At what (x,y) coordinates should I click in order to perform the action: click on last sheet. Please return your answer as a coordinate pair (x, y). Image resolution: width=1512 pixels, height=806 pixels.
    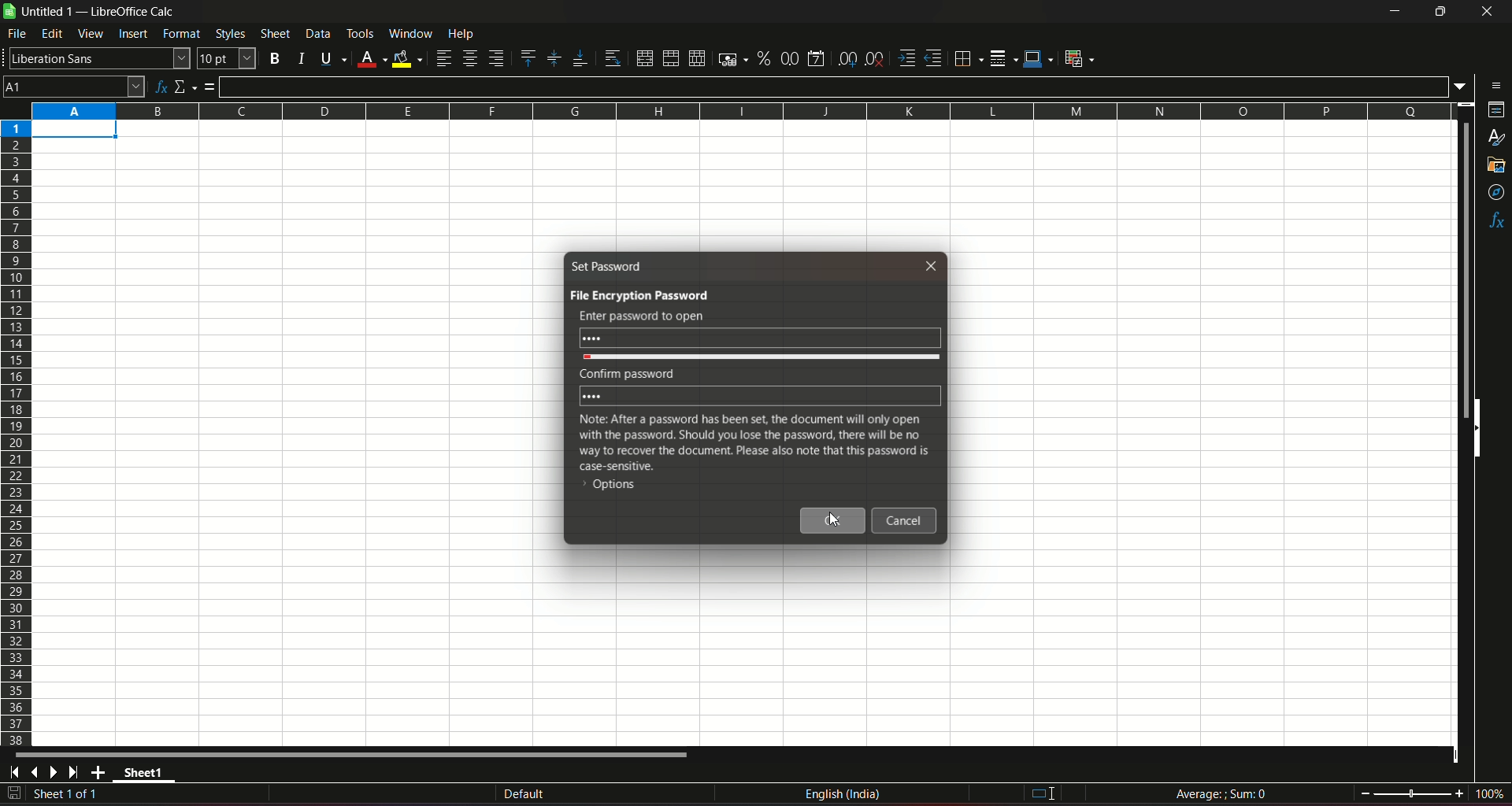
    Looking at the image, I should click on (74, 772).